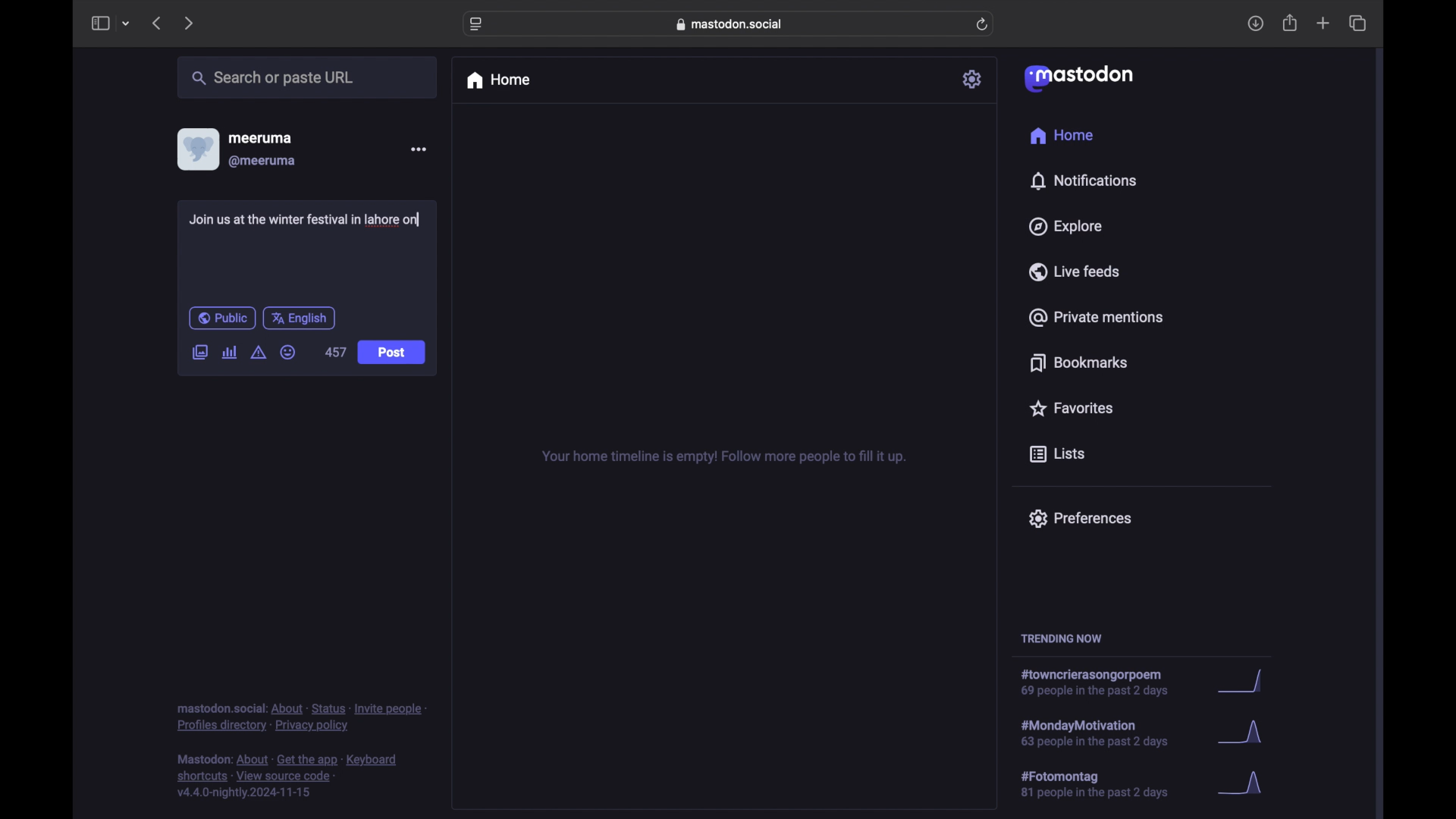 Image resolution: width=1456 pixels, height=819 pixels. What do you see at coordinates (258, 353) in the screenshot?
I see `add content warning` at bounding box center [258, 353].